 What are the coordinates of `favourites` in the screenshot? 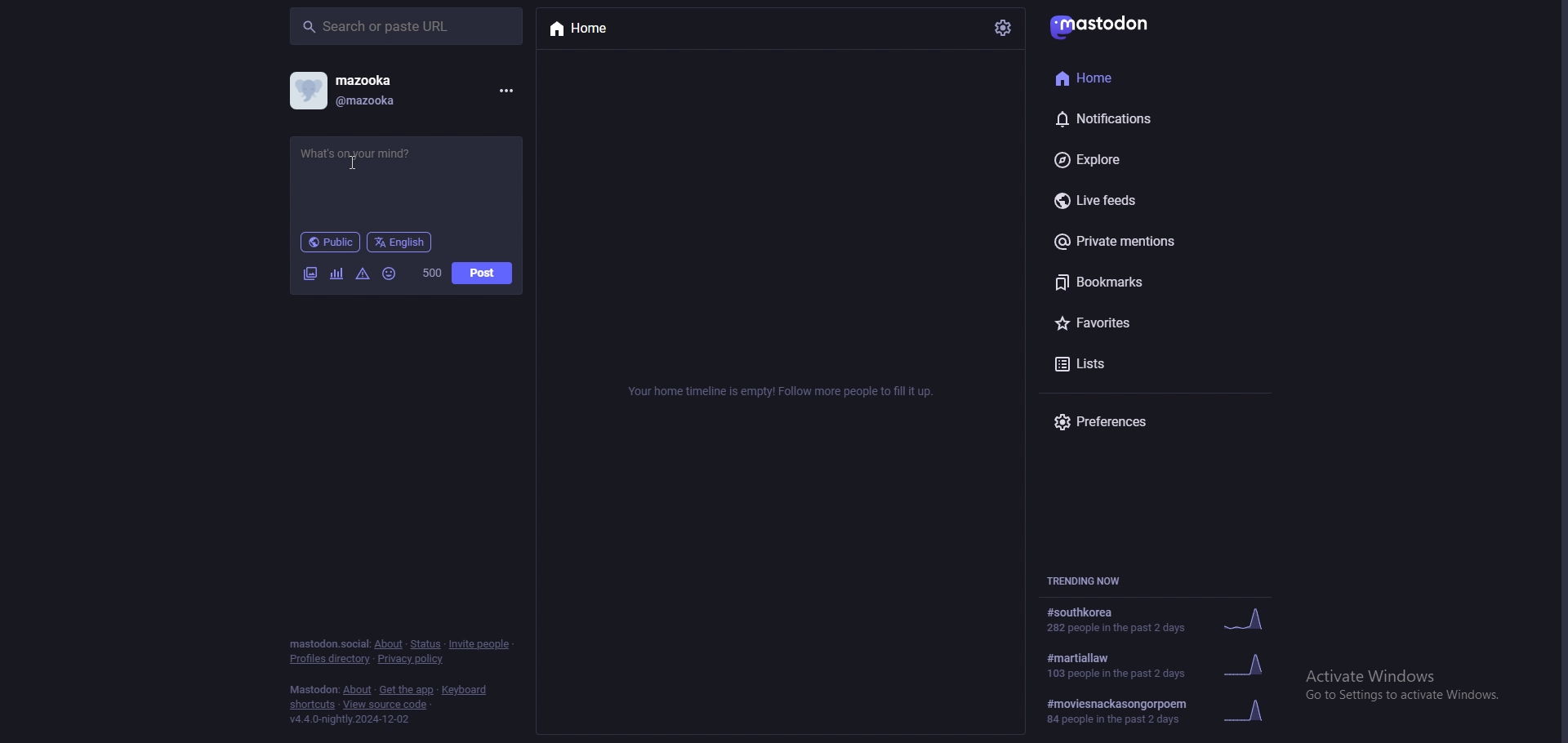 It's located at (1142, 323).